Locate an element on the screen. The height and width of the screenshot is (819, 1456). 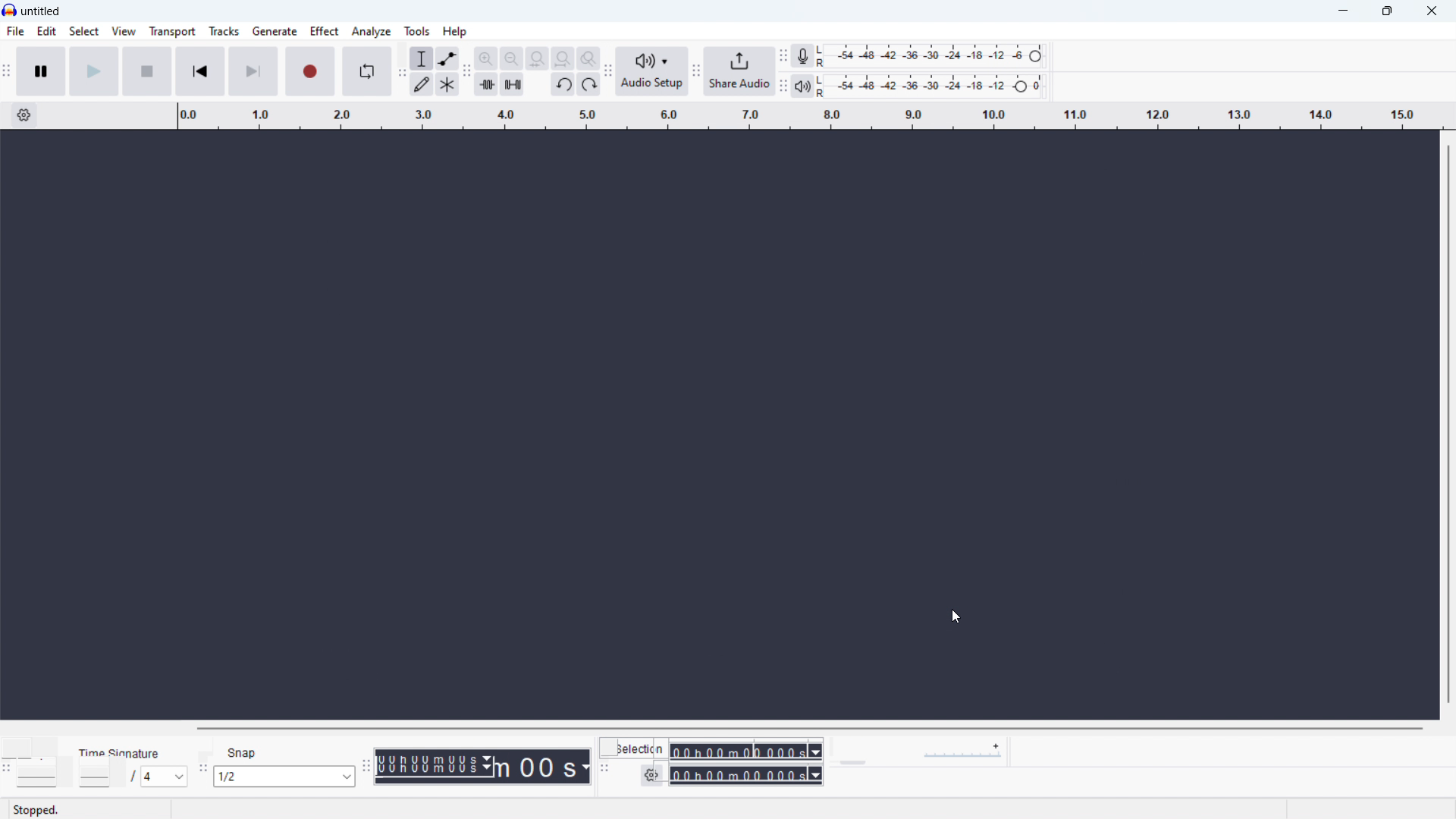
title is located at coordinates (41, 11).